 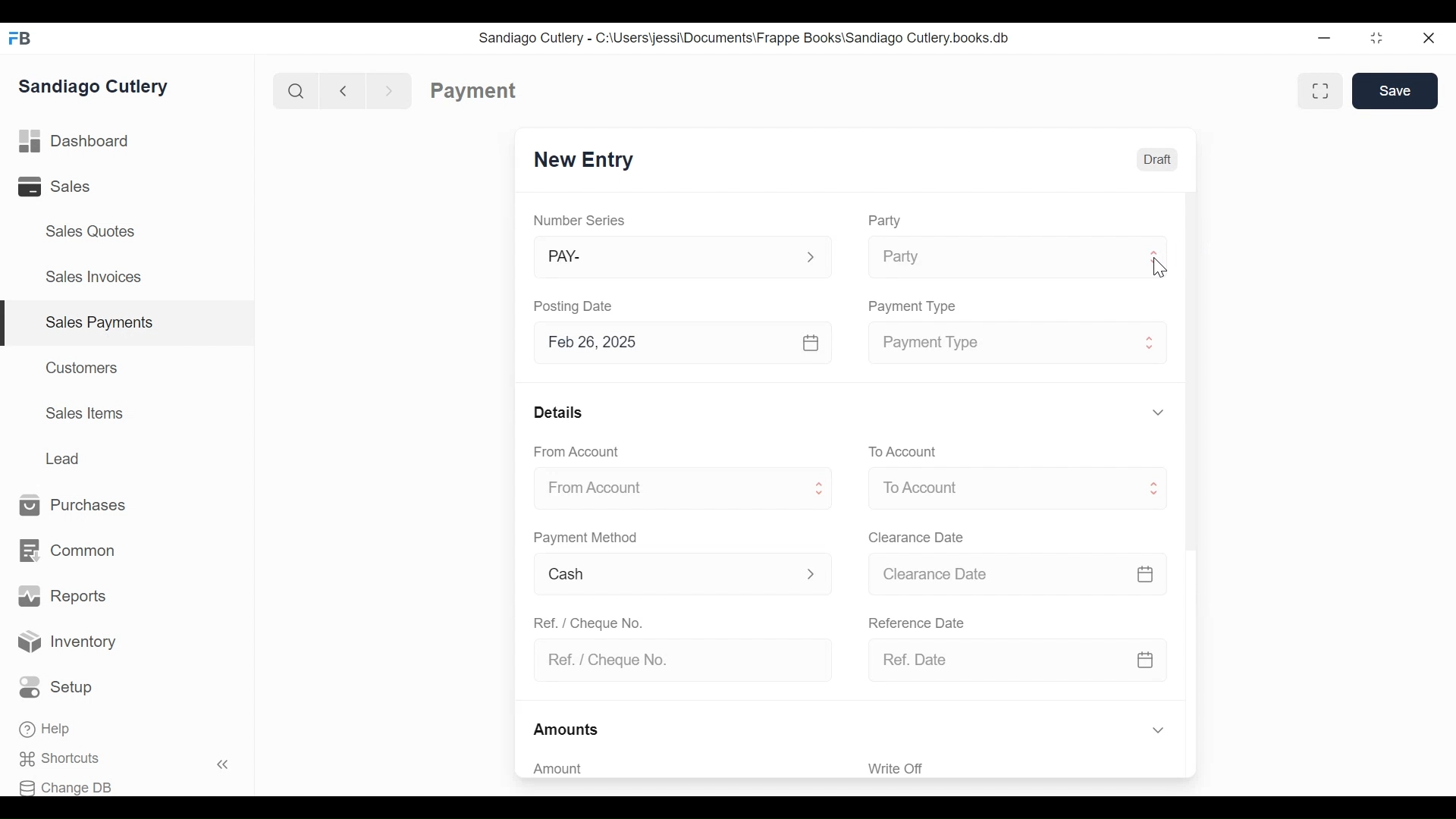 I want to click on Sales Quotes, so click(x=89, y=231).